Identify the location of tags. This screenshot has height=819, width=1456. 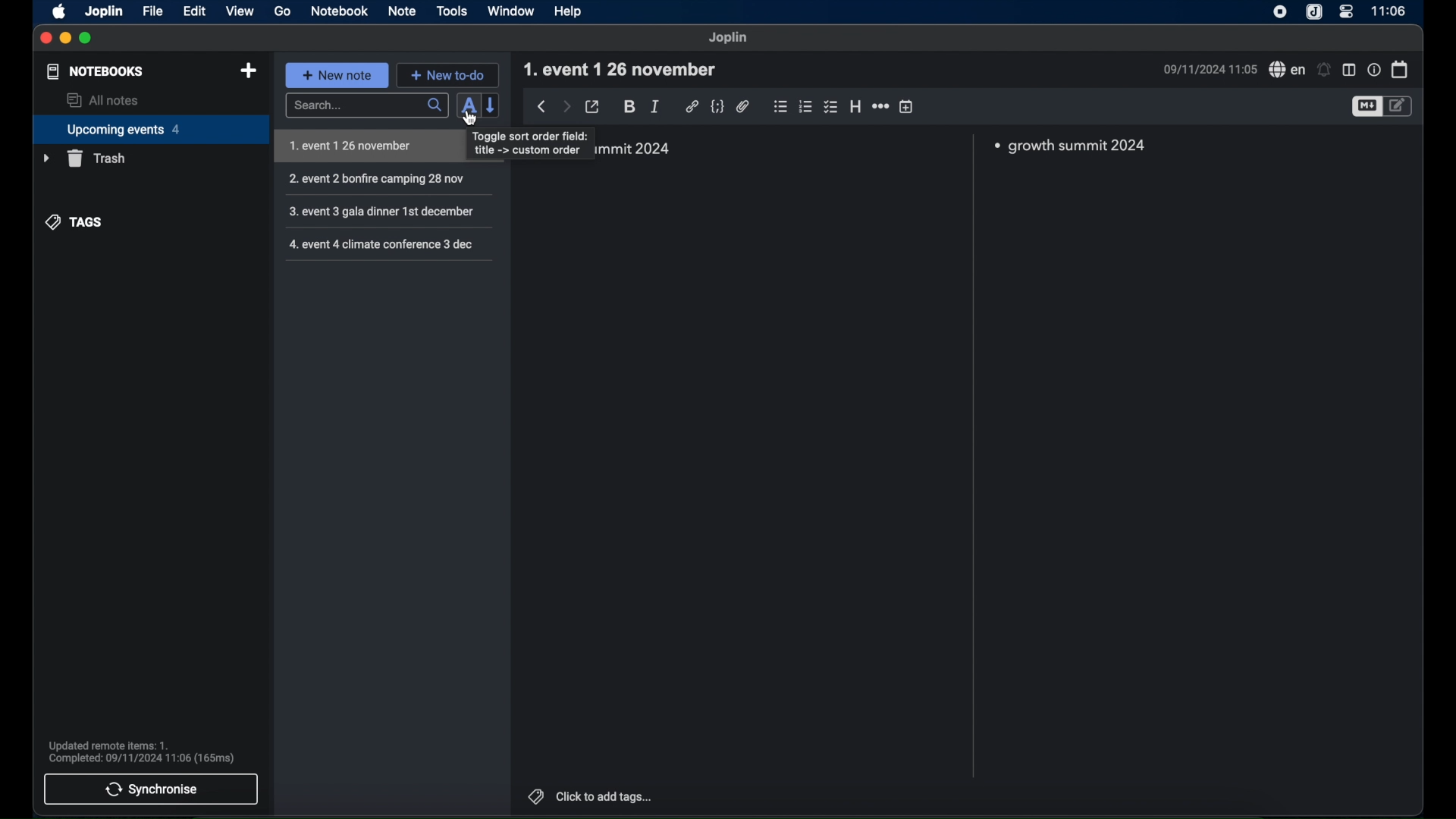
(75, 221).